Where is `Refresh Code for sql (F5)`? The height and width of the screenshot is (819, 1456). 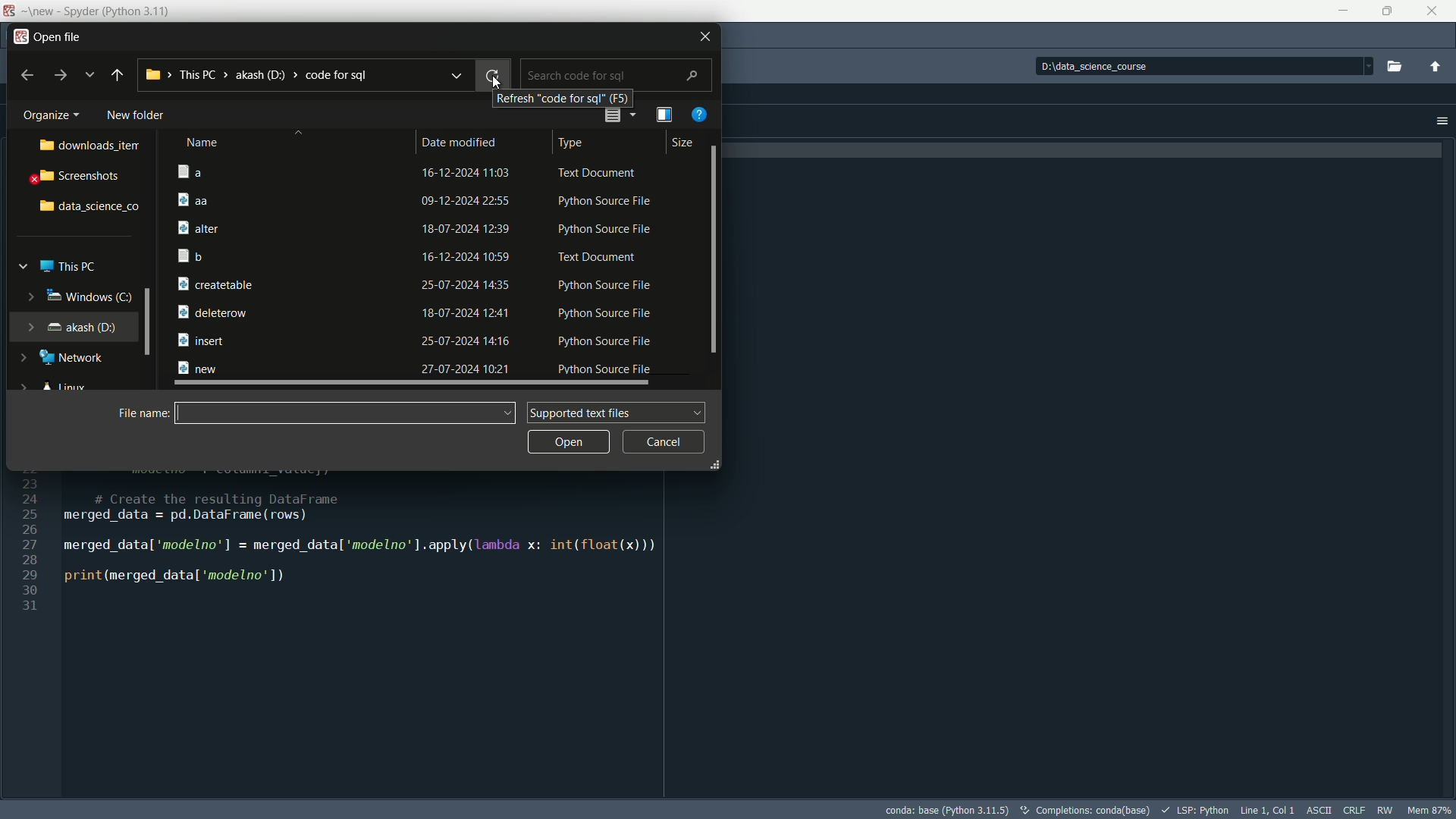
Refresh Code for sql (F5) is located at coordinates (565, 101).